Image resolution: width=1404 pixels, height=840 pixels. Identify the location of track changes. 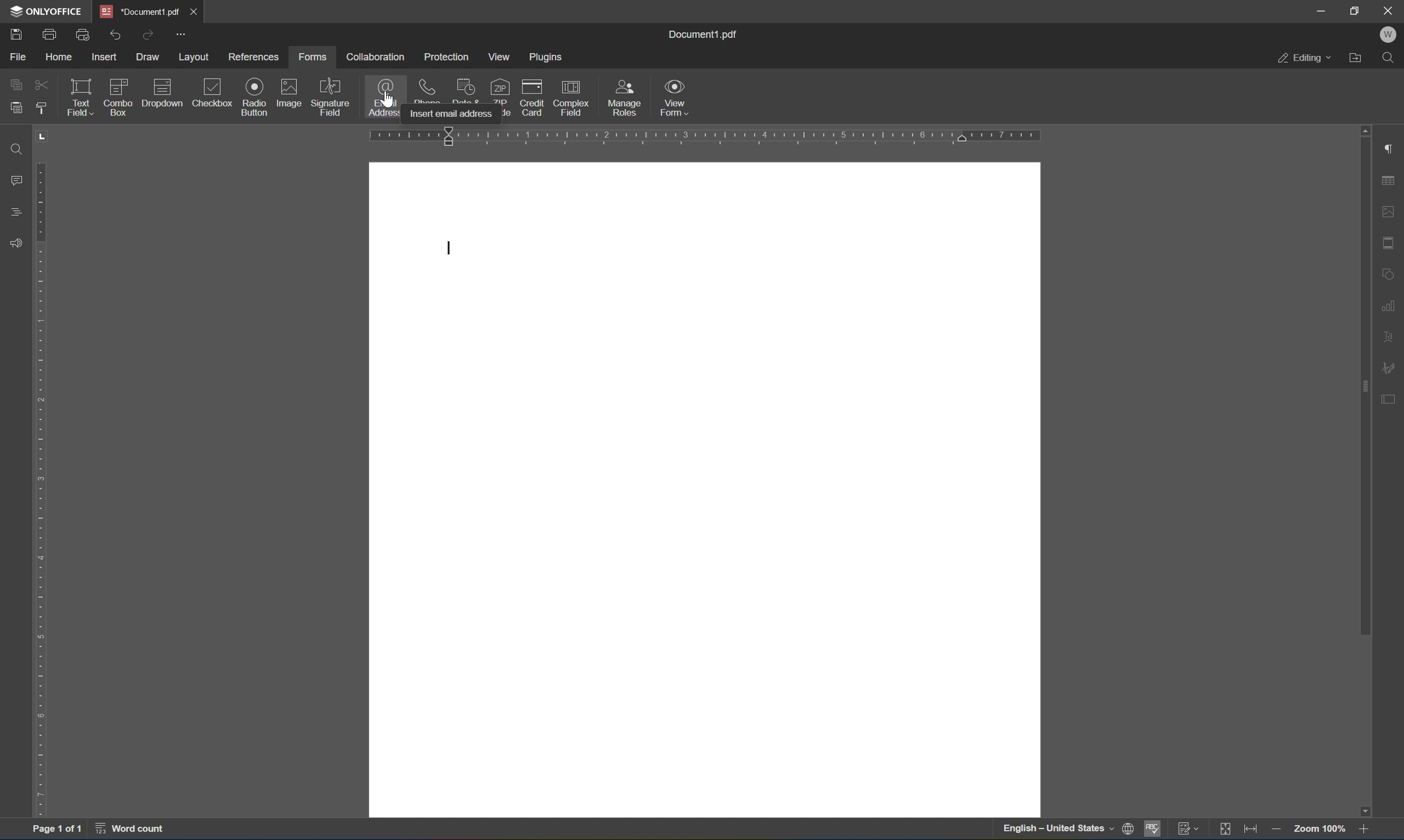
(1188, 828).